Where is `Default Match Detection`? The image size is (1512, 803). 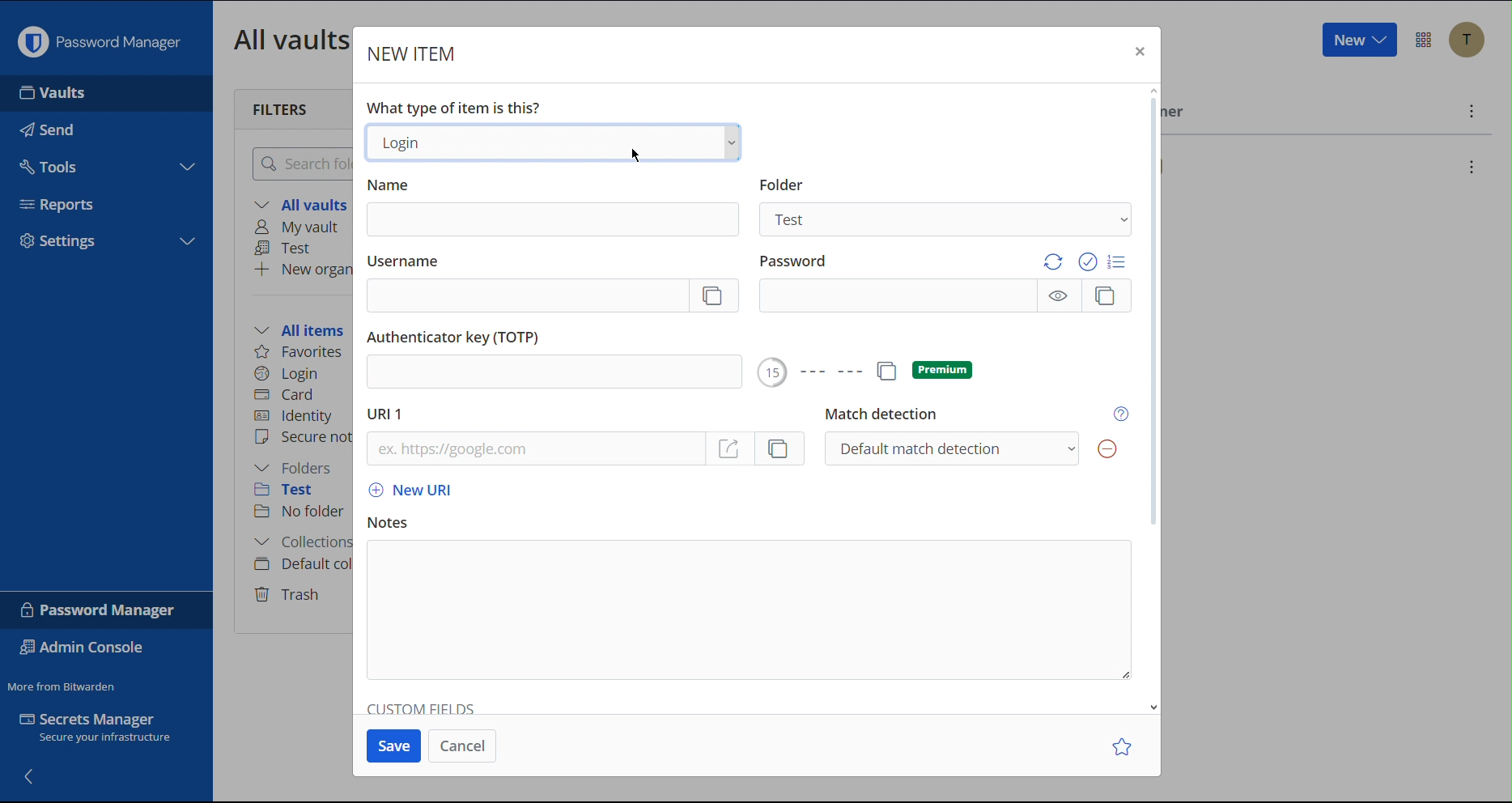 Default Match Detection is located at coordinates (950, 448).